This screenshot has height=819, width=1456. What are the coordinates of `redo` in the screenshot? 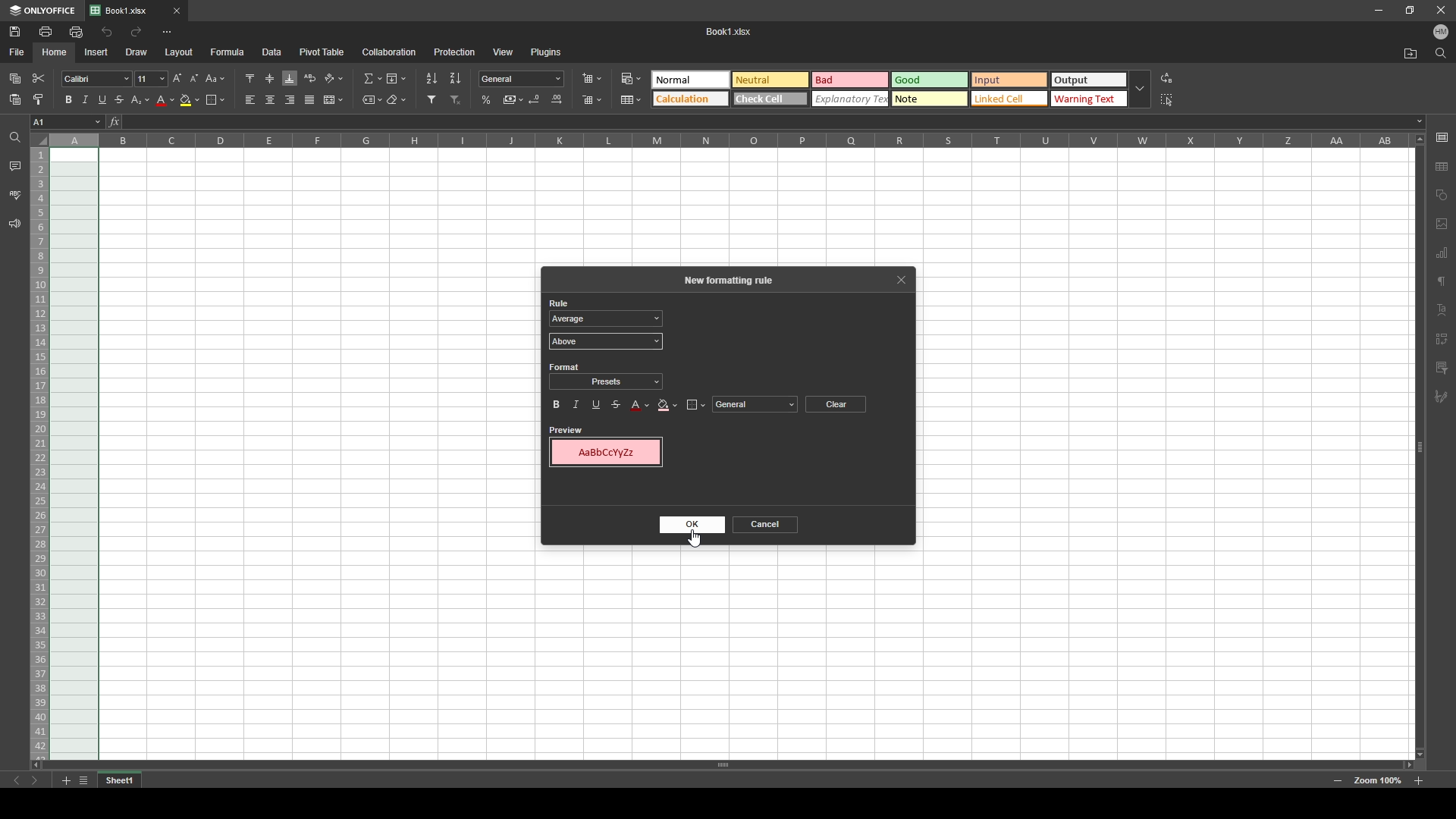 It's located at (136, 31).